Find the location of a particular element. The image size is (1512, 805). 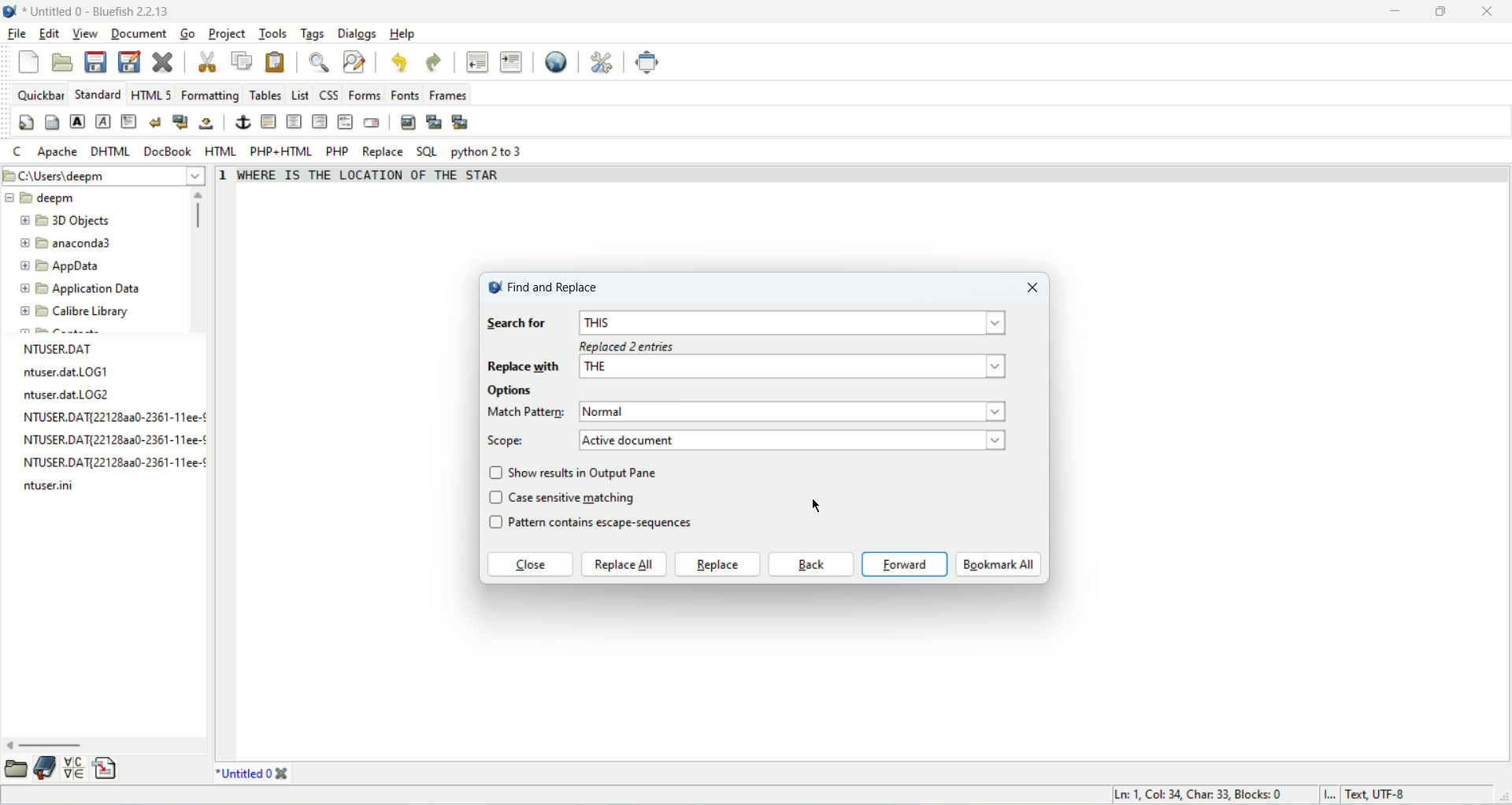

paragraph is located at coordinates (130, 121).